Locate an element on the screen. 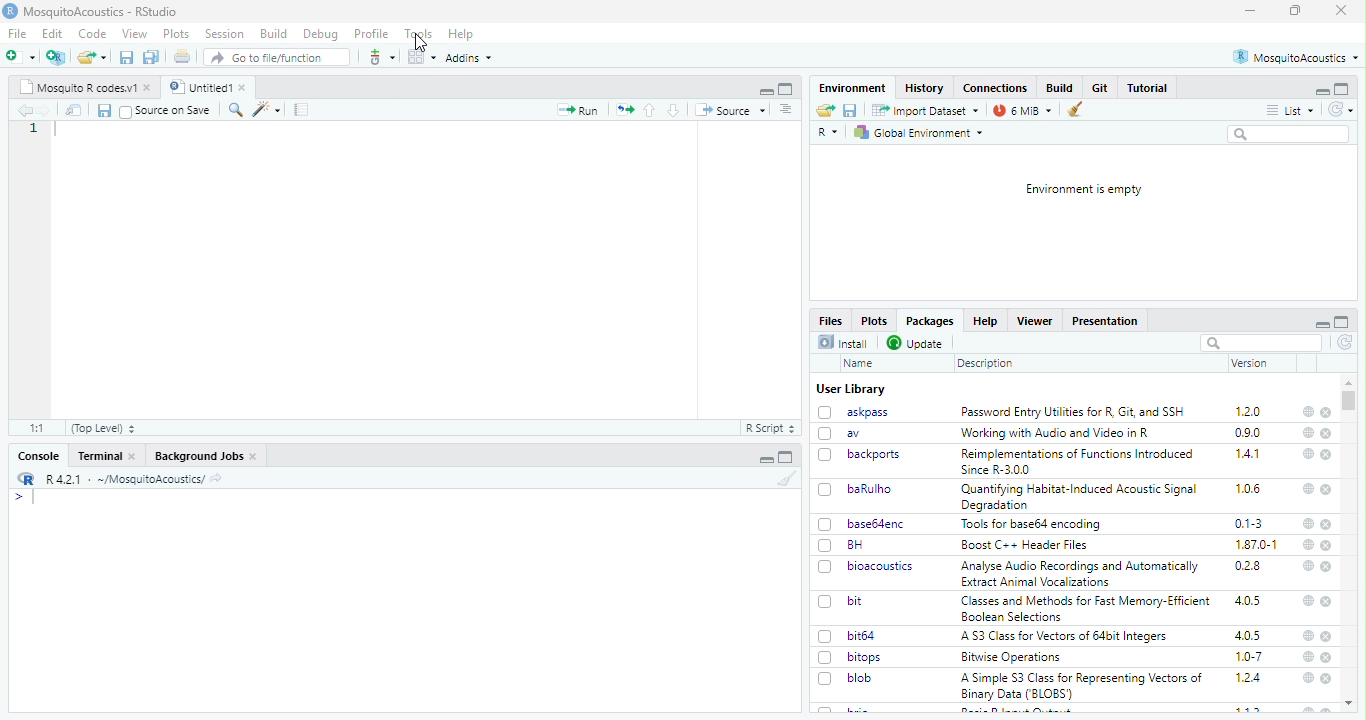 This screenshot has height=720, width=1366. clean is located at coordinates (1075, 110).